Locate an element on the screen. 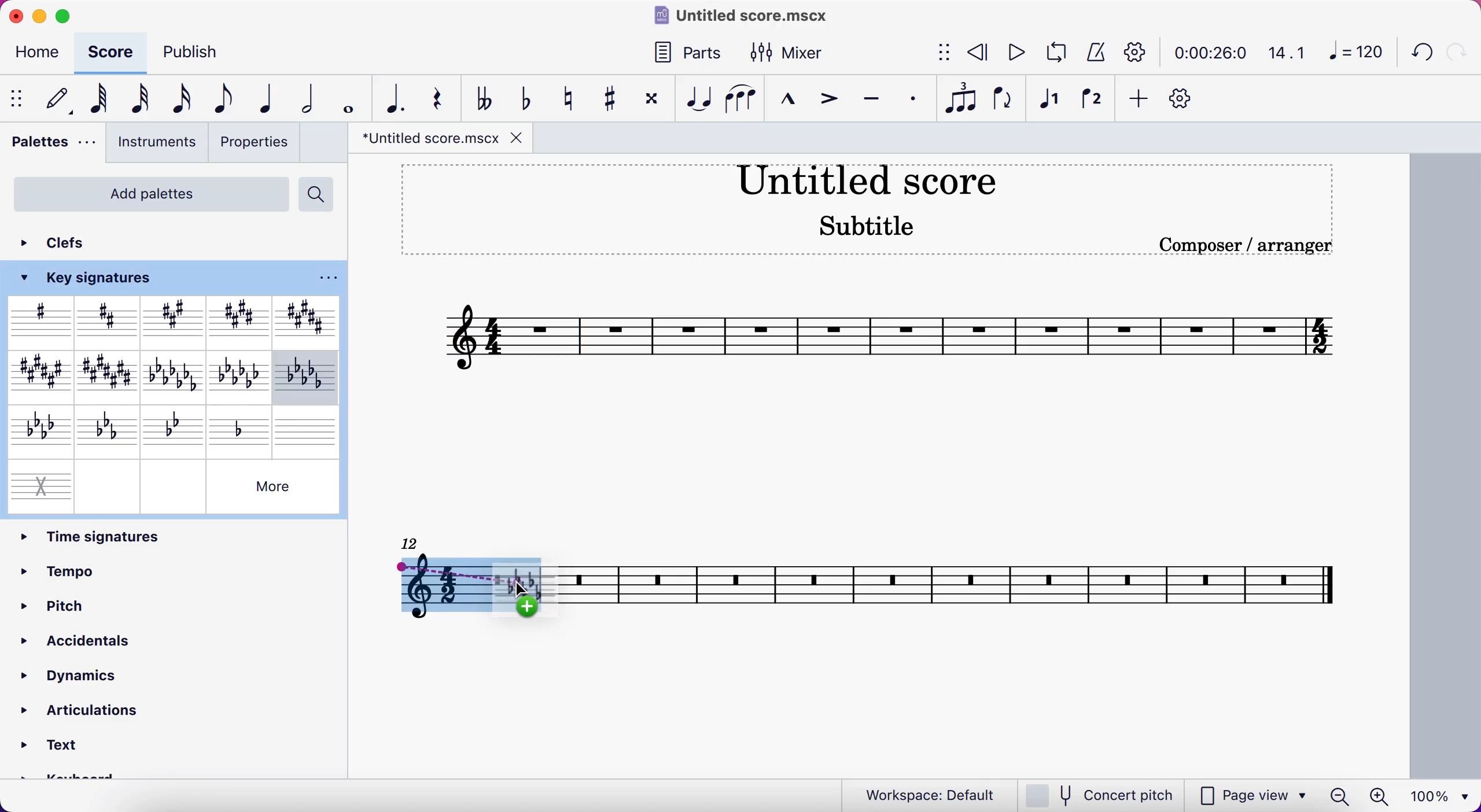 Image resolution: width=1481 pixels, height=812 pixels. toggle flat is located at coordinates (529, 101).